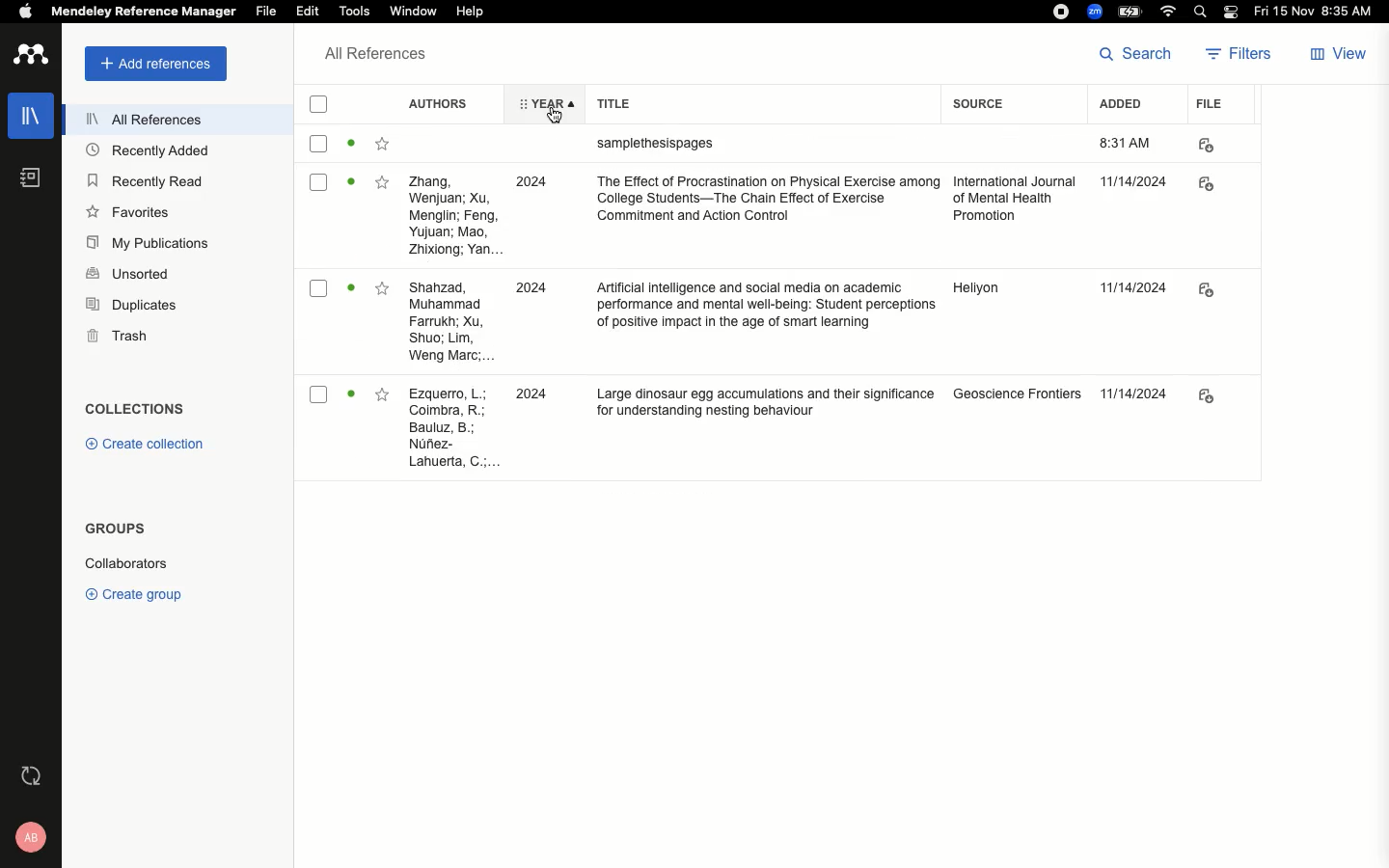  Describe the element at coordinates (759, 314) in the screenshot. I see `titlle ` at that location.